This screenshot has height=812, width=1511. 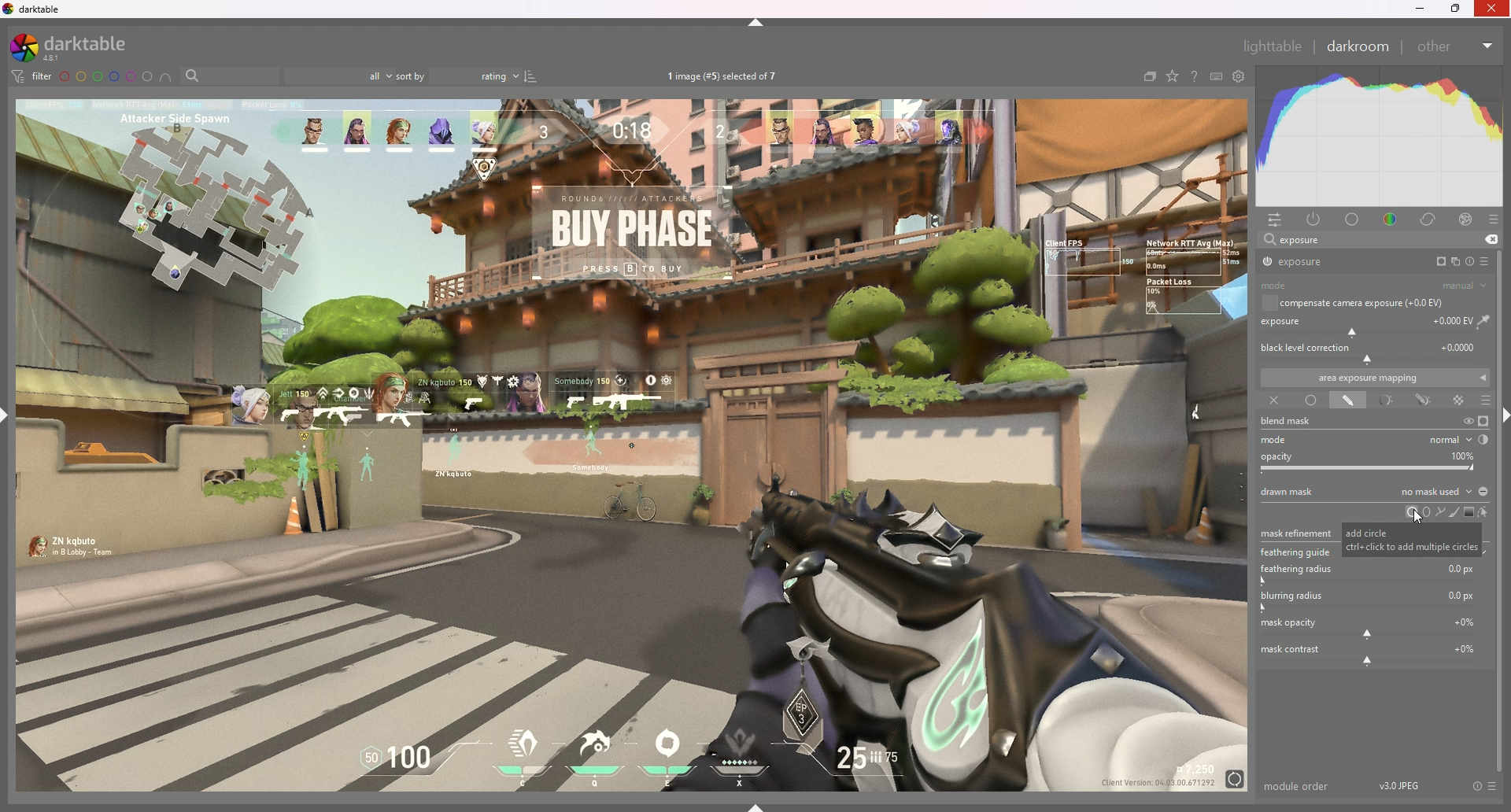 What do you see at coordinates (1415, 522) in the screenshot?
I see `cursor` at bounding box center [1415, 522].